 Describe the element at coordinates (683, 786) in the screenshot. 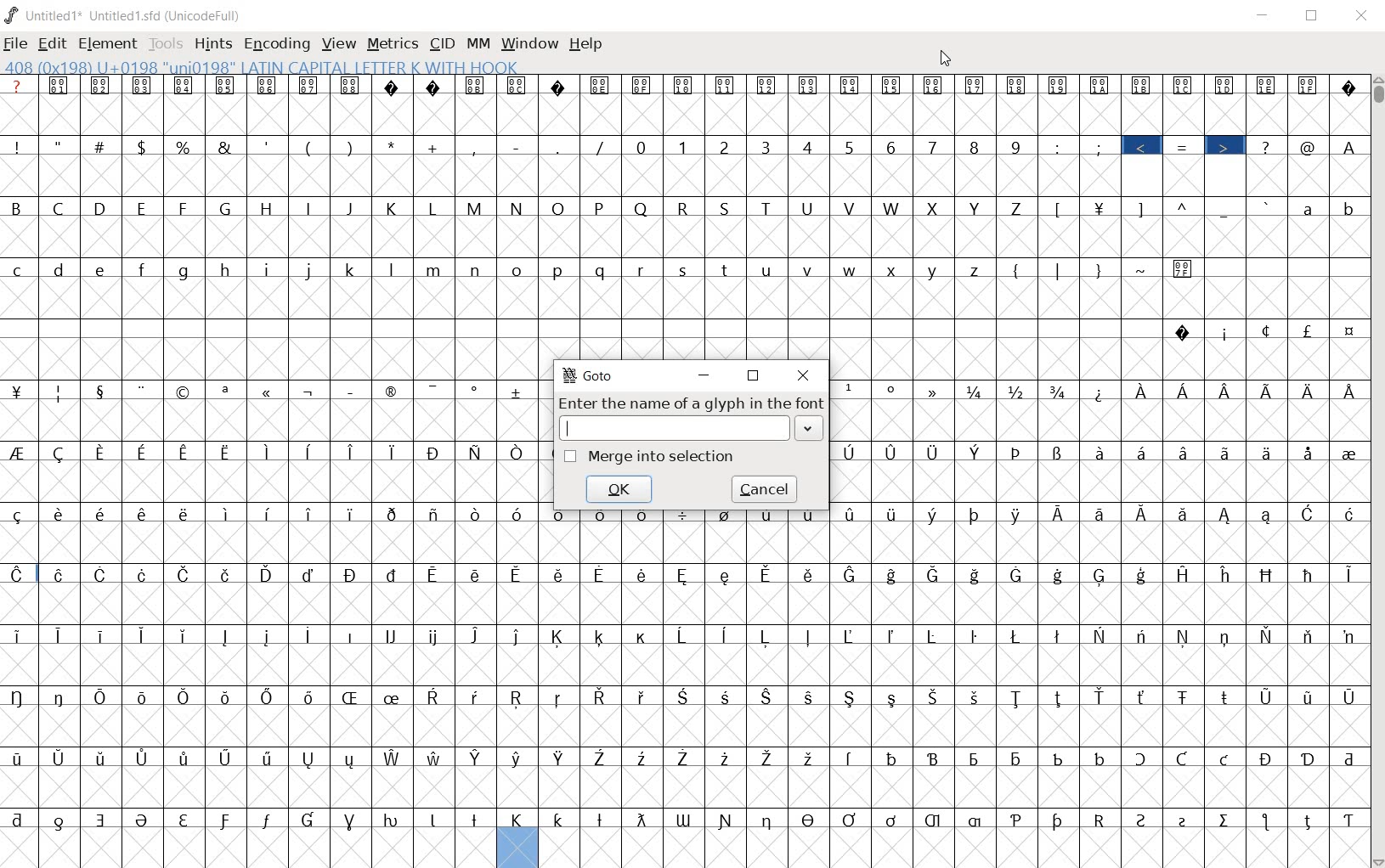

I see `empty glyph slots` at that location.